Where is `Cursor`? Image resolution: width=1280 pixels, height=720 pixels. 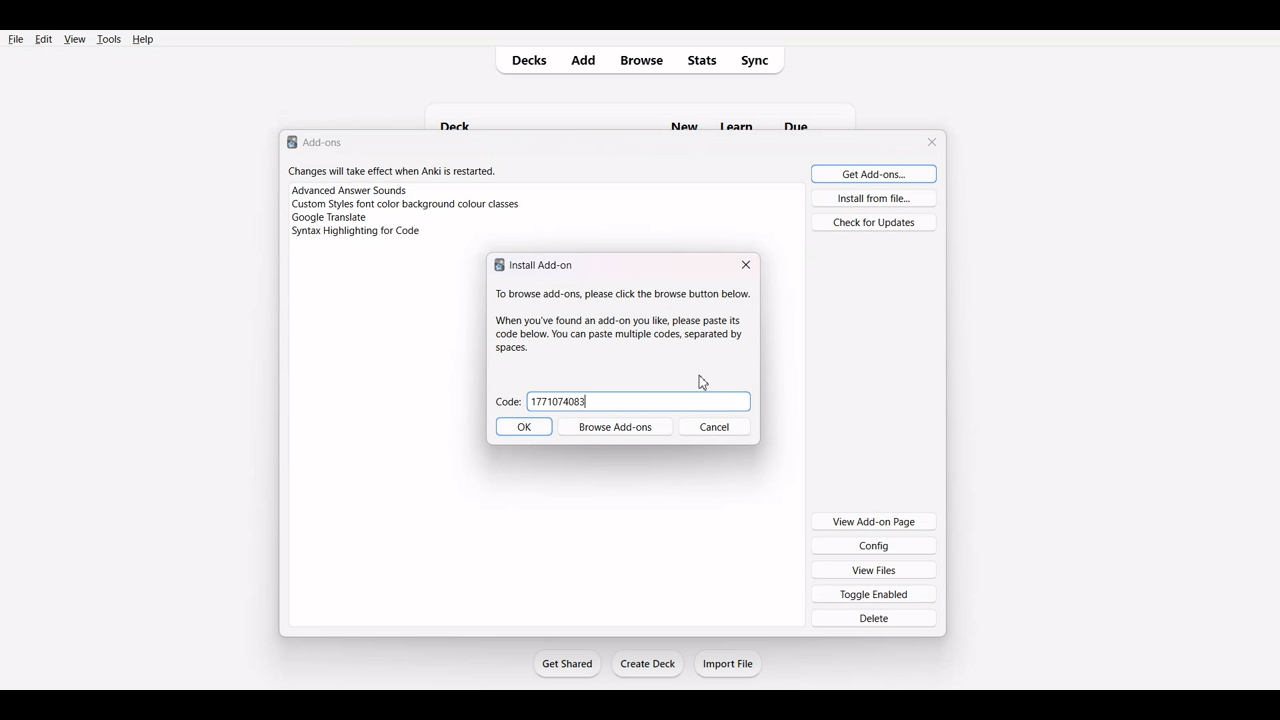
Cursor is located at coordinates (703, 382).